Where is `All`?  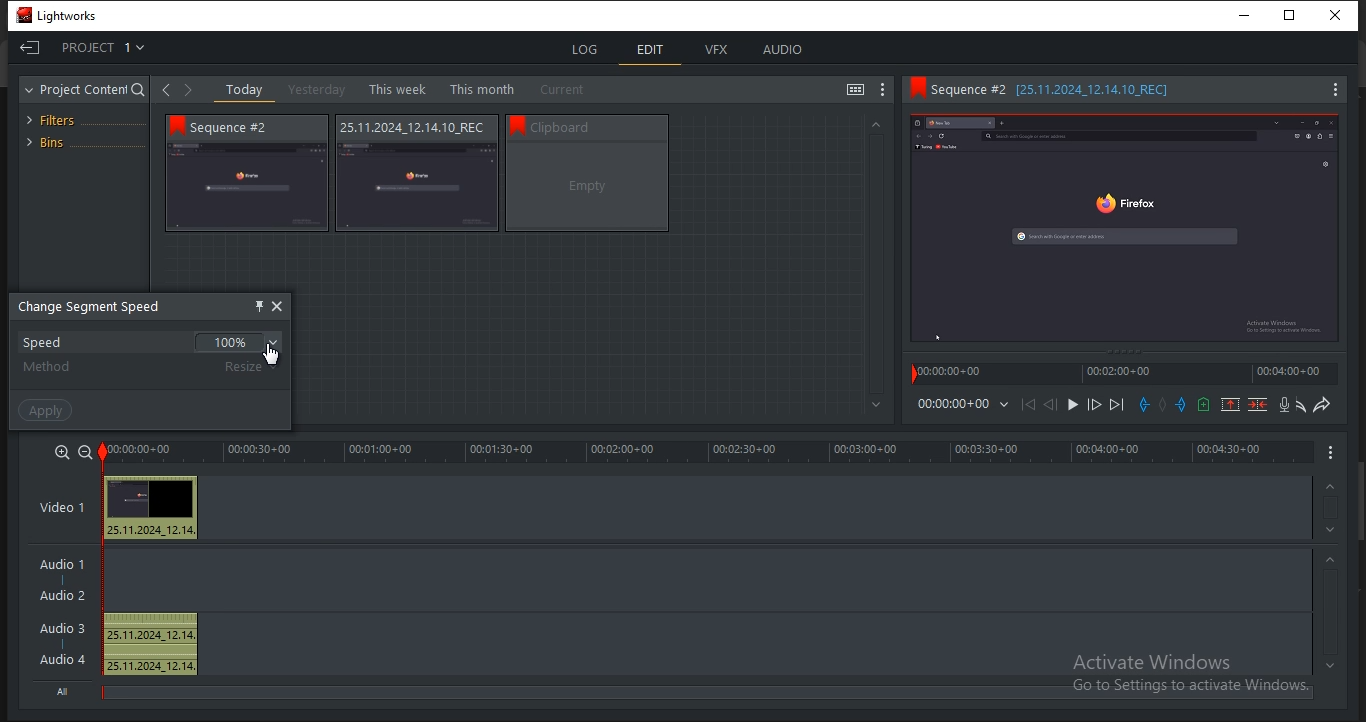 All is located at coordinates (65, 691).